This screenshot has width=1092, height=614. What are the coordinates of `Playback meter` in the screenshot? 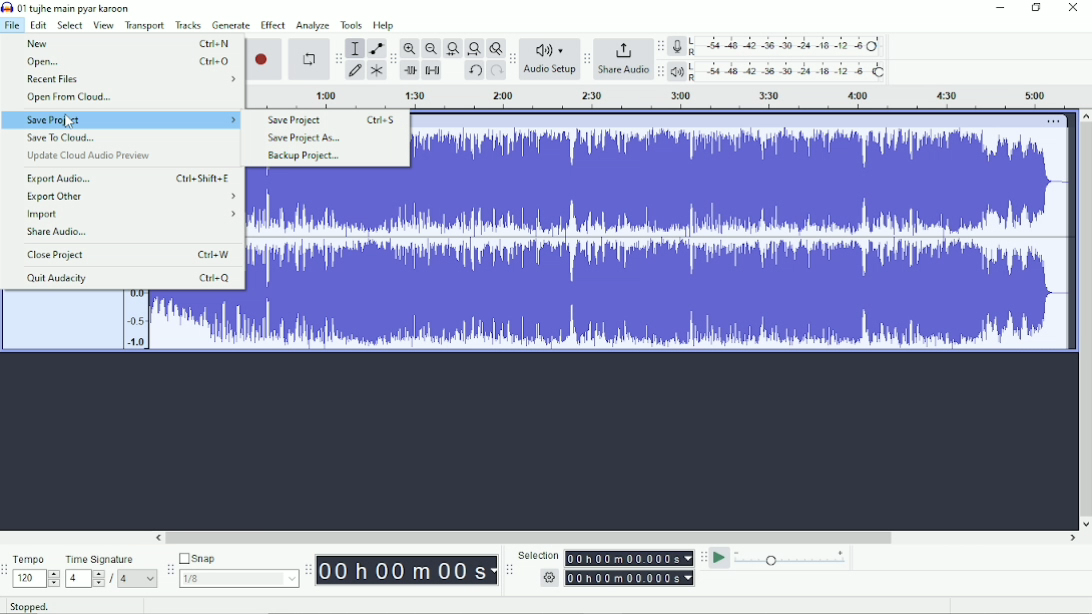 It's located at (781, 72).